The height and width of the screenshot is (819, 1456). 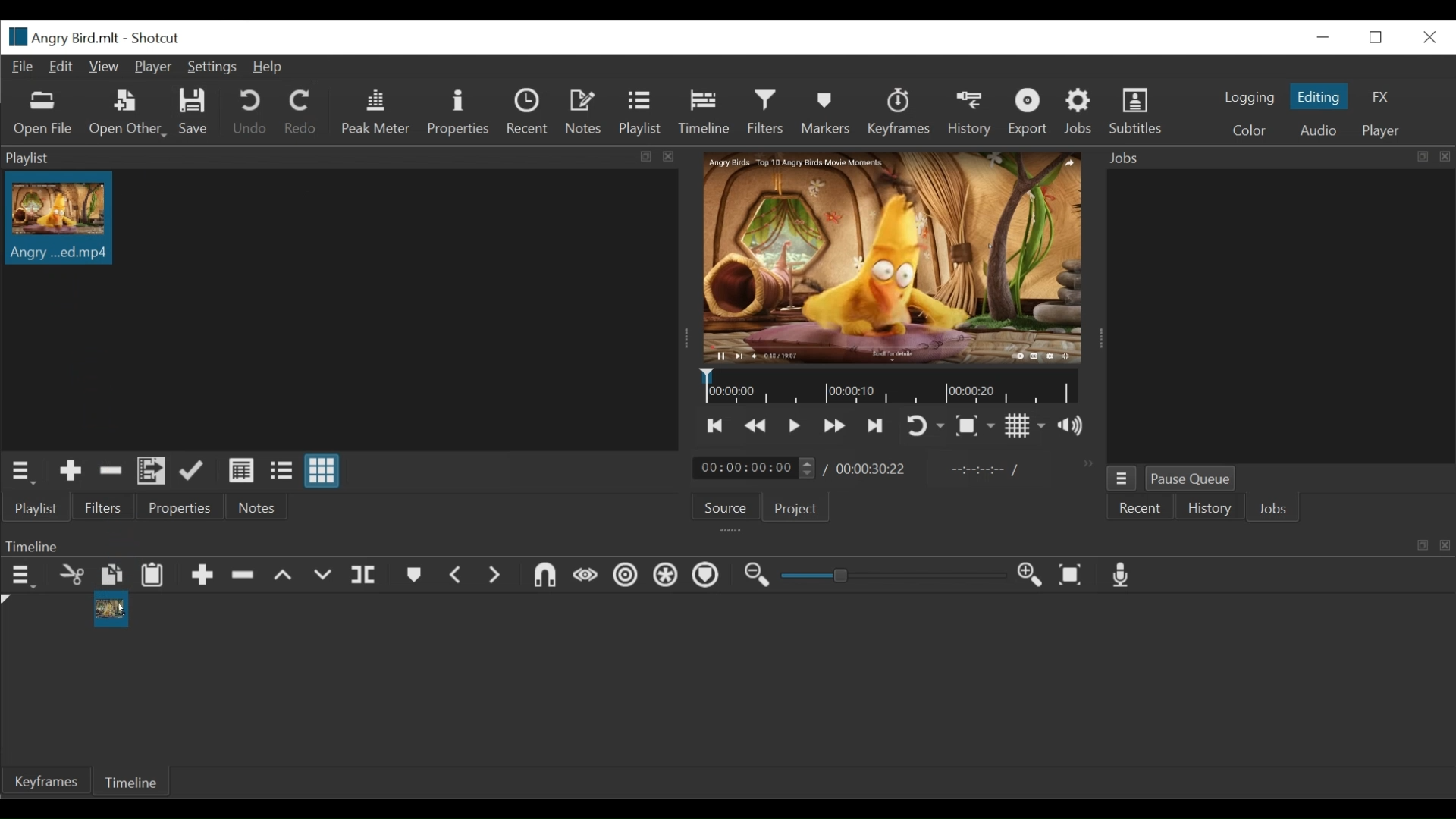 What do you see at coordinates (324, 470) in the screenshot?
I see `View as icon` at bounding box center [324, 470].